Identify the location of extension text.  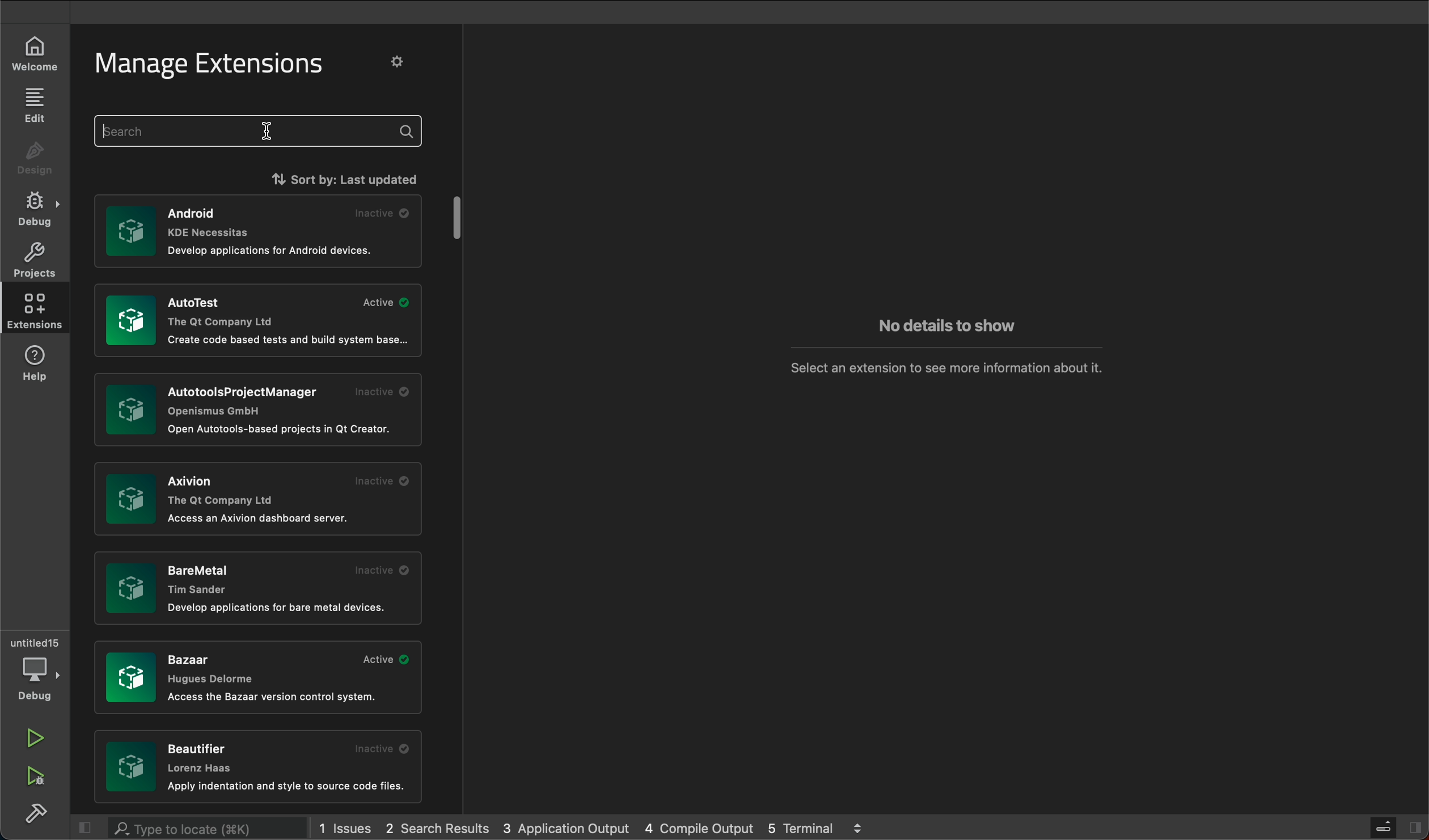
(223, 312).